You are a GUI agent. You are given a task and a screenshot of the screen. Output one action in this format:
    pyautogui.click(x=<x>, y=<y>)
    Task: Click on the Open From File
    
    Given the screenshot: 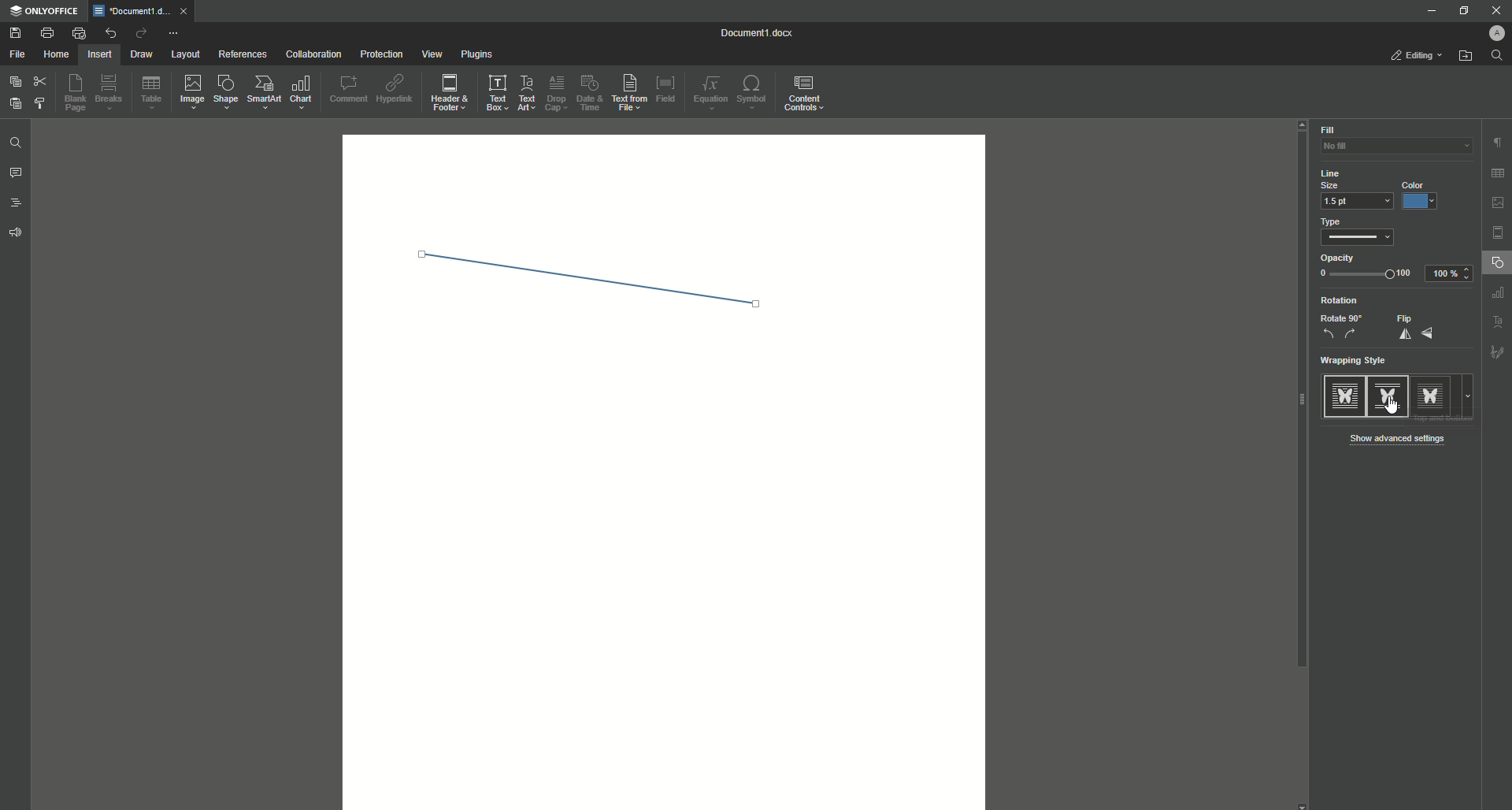 What is the action you would take?
    pyautogui.click(x=1466, y=58)
    